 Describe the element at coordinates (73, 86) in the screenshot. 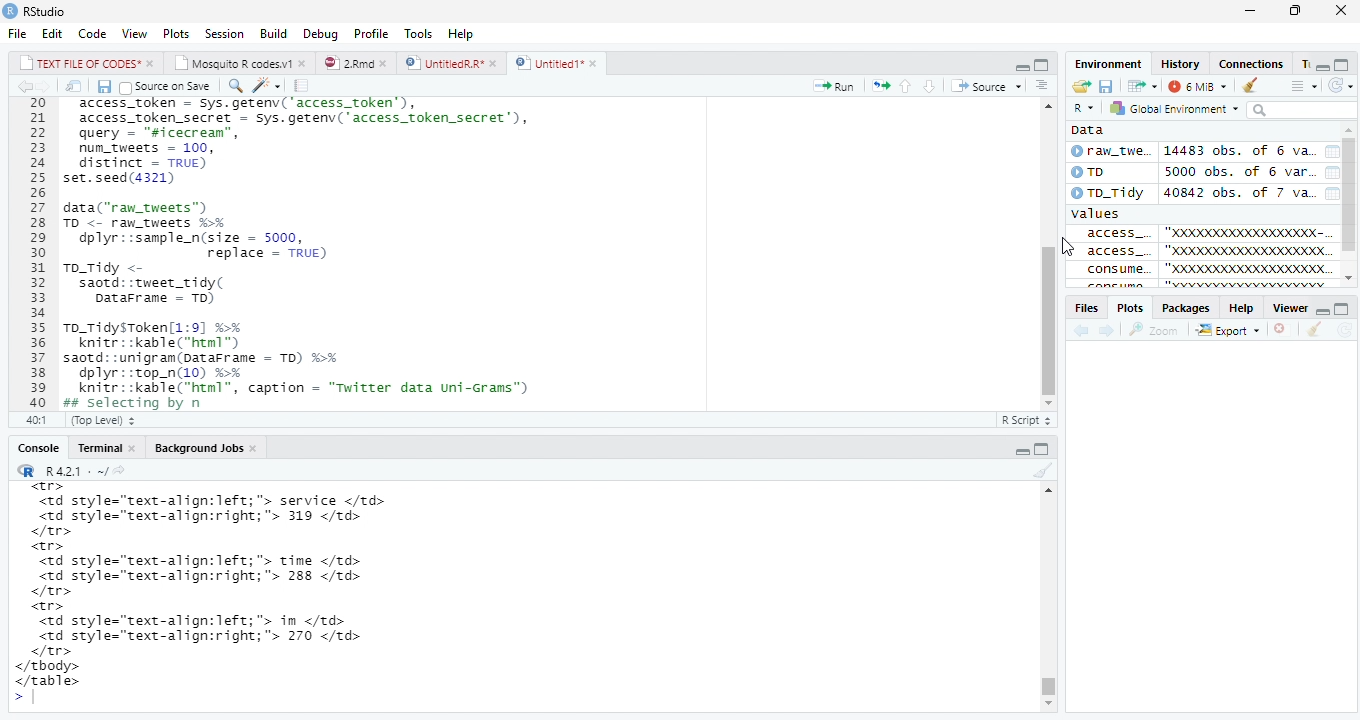

I see `show iin new window` at that location.